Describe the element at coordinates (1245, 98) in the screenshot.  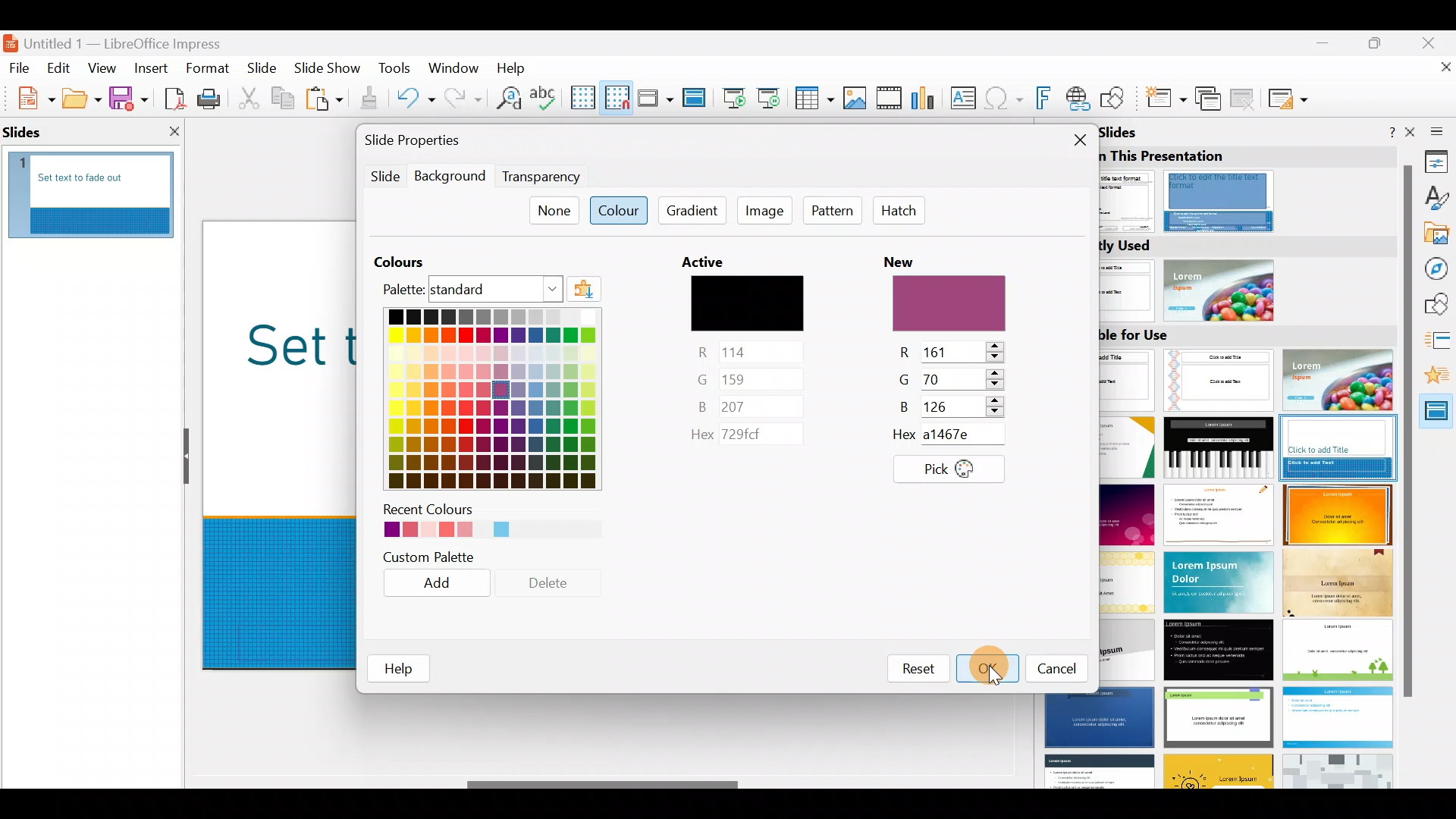
I see `Delete slide` at that location.